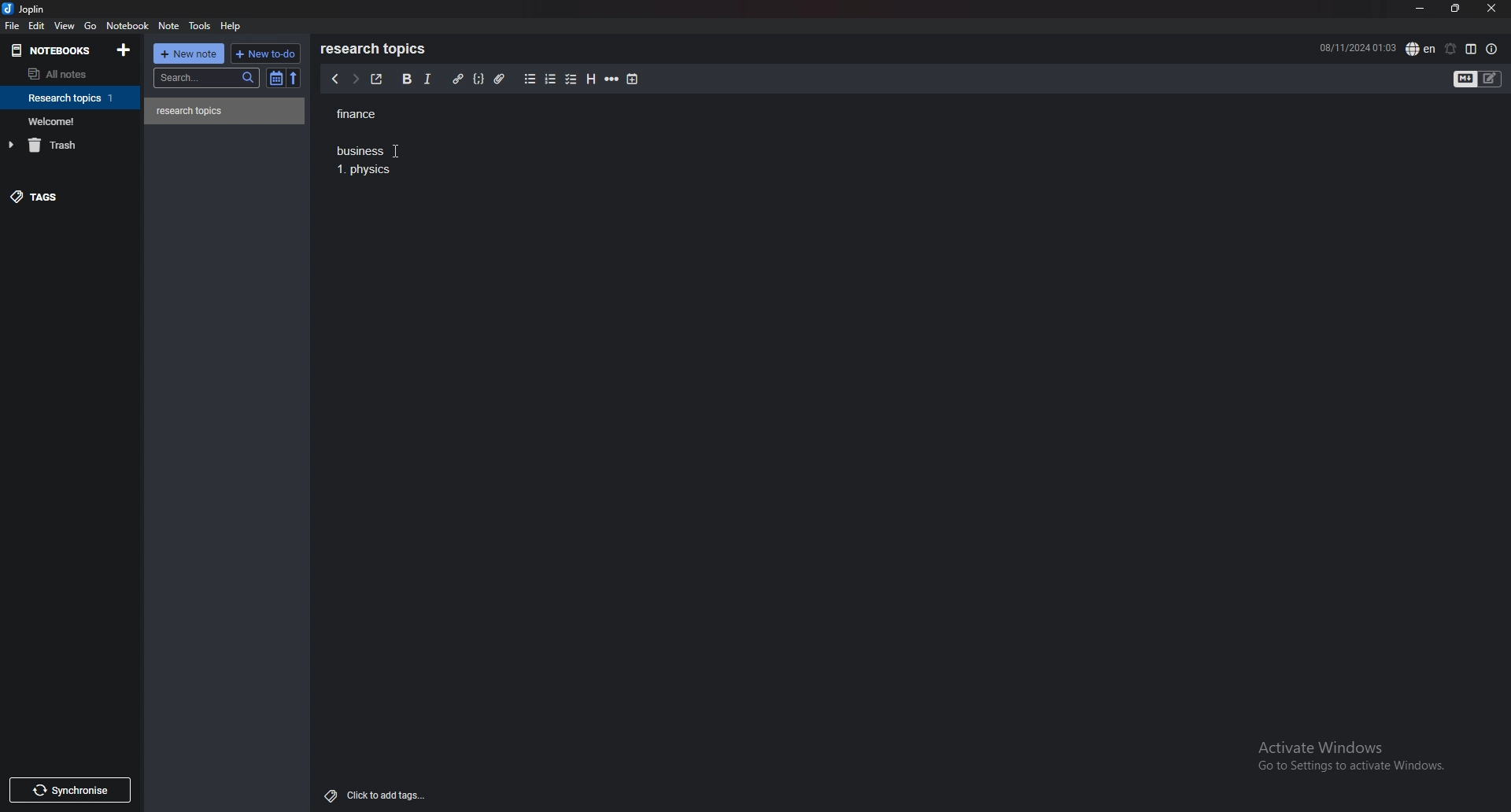  Describe the element at coordinates (73, 789) in the screenshot. I see `Synchronise` at that location.